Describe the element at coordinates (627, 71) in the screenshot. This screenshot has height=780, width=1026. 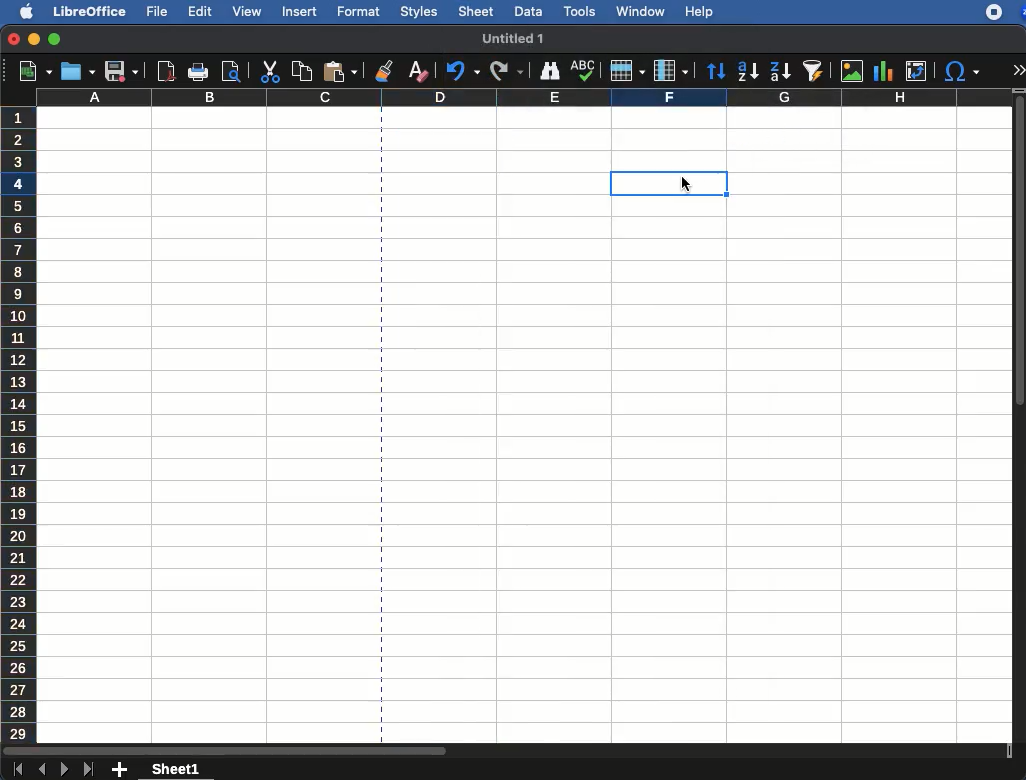
I see `row` at that location.